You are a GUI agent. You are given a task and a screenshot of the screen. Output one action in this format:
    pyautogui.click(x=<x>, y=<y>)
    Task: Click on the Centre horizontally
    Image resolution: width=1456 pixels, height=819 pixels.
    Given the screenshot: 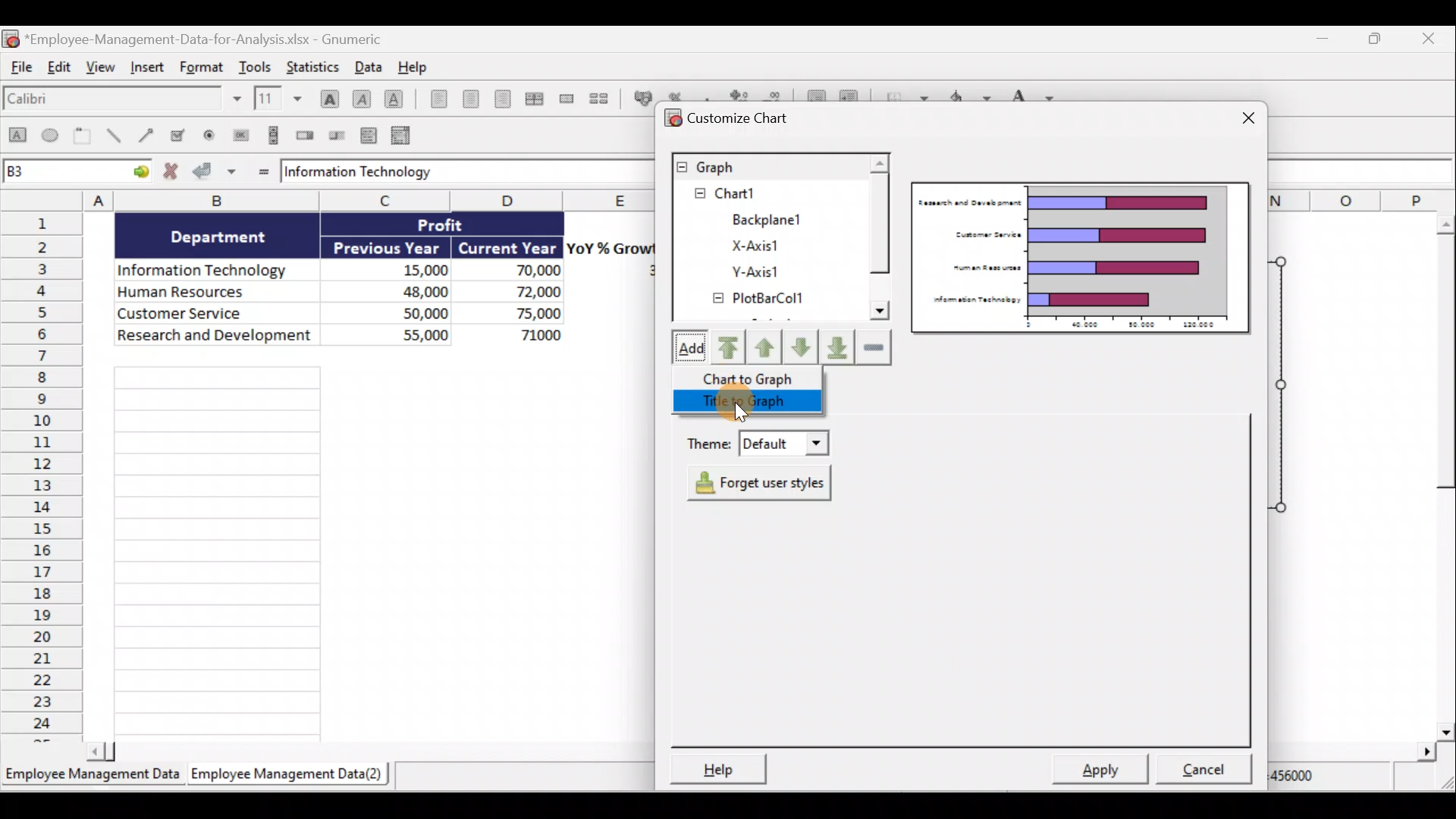 What is the action you would take?
    pyautogui.click(x=467, y=99)
    